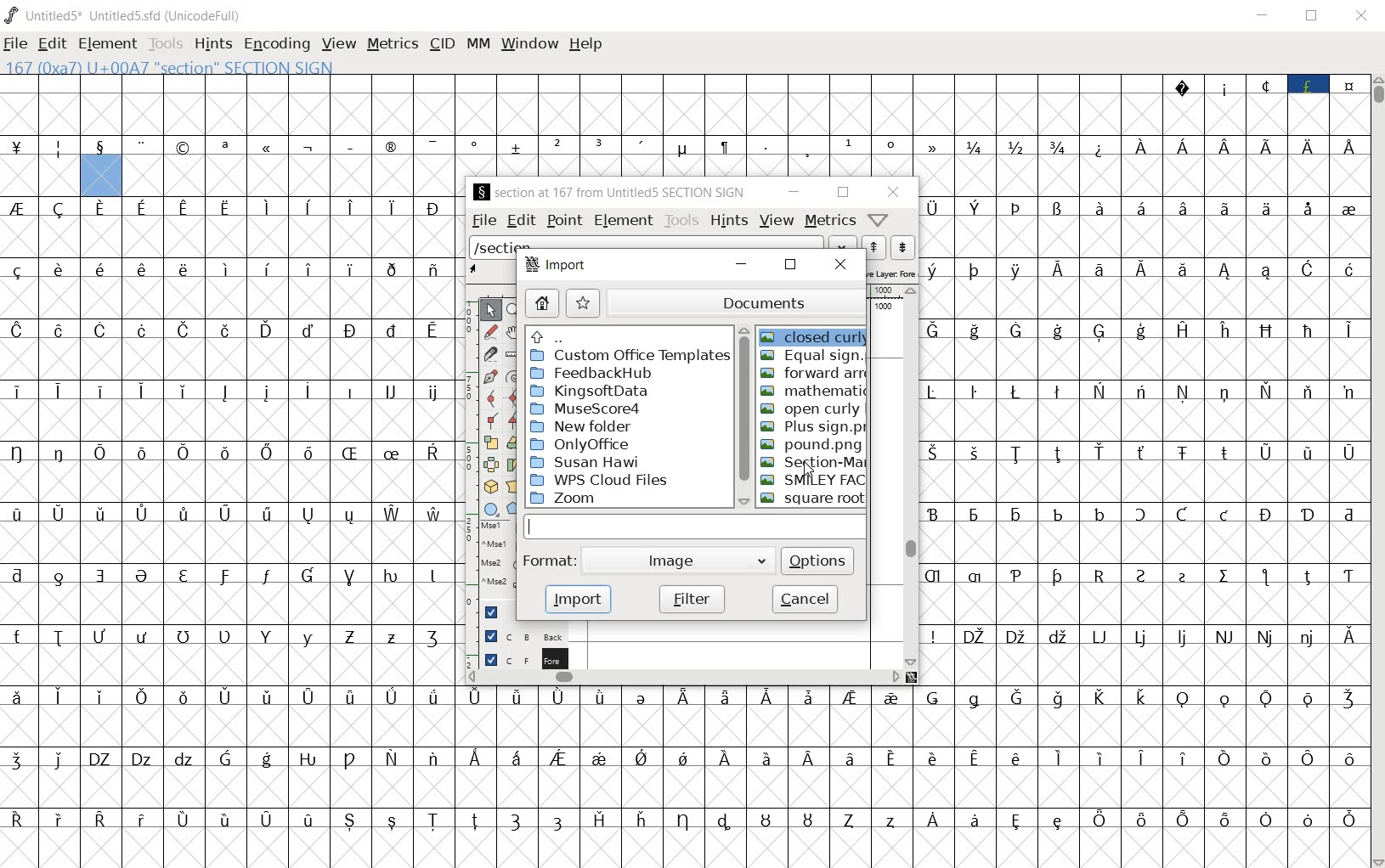 This screenshot has width=1385, height=868. What do you see at coordinates (685, 848) in the screenshot?
I see `empty cells` at bounding box center [685, 848].